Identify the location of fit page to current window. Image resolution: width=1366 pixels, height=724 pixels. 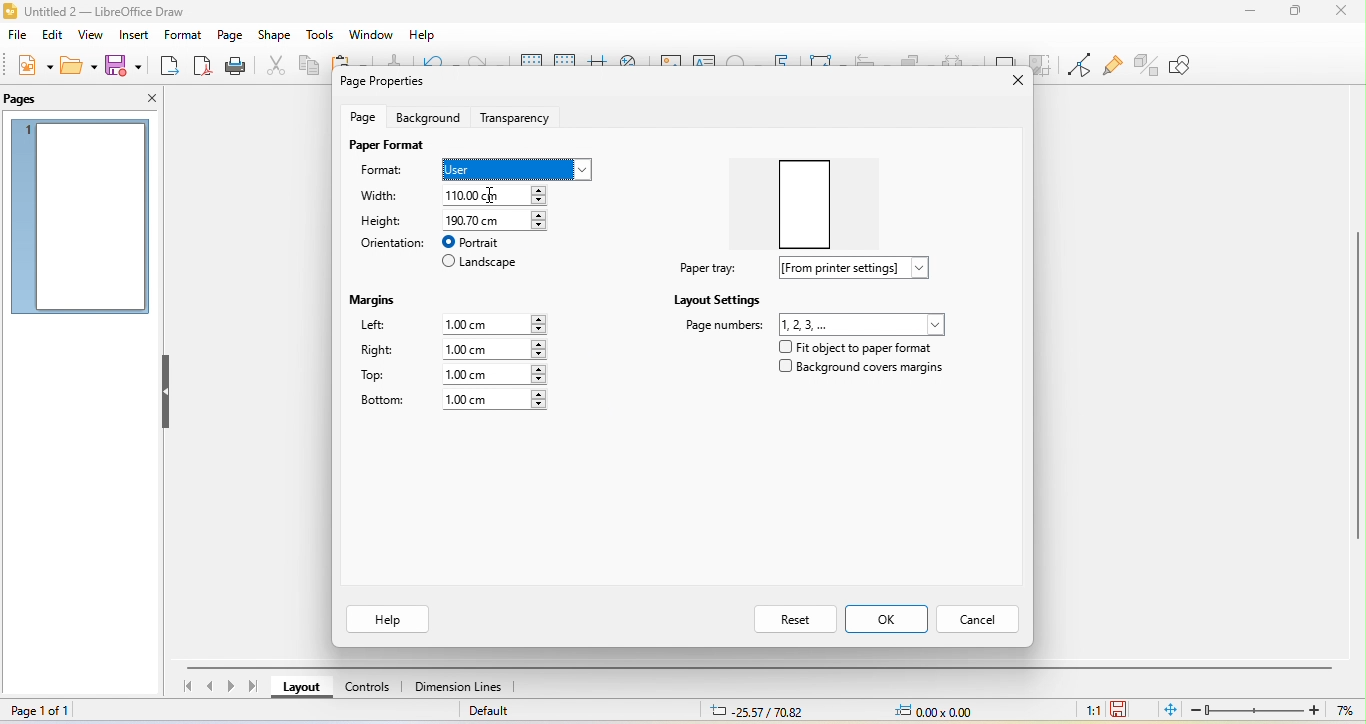
(1169, 709).